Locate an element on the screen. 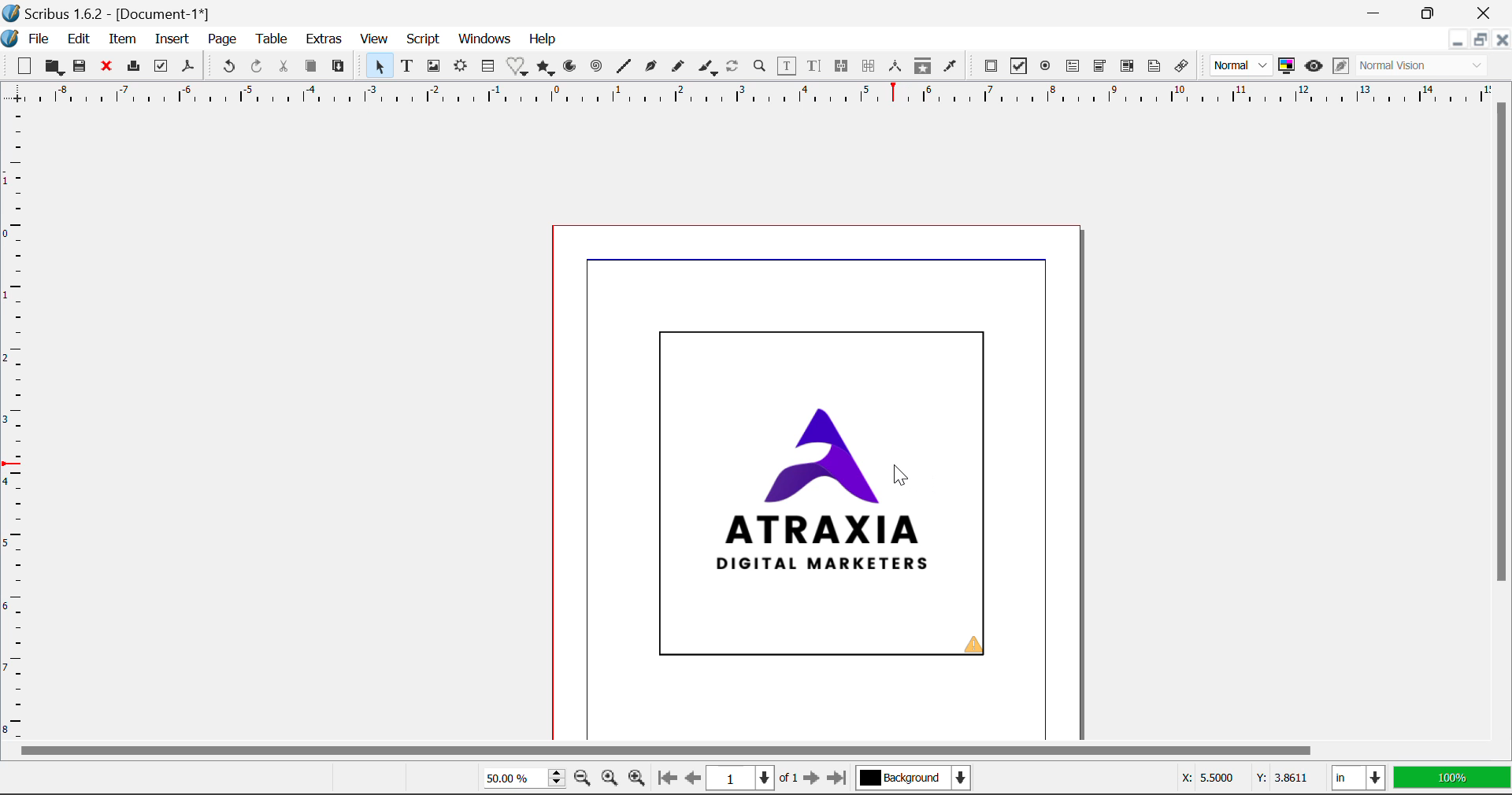 This screenshot has height=795, width=1512. Save as Pdf is located at coordinates (190, 69).